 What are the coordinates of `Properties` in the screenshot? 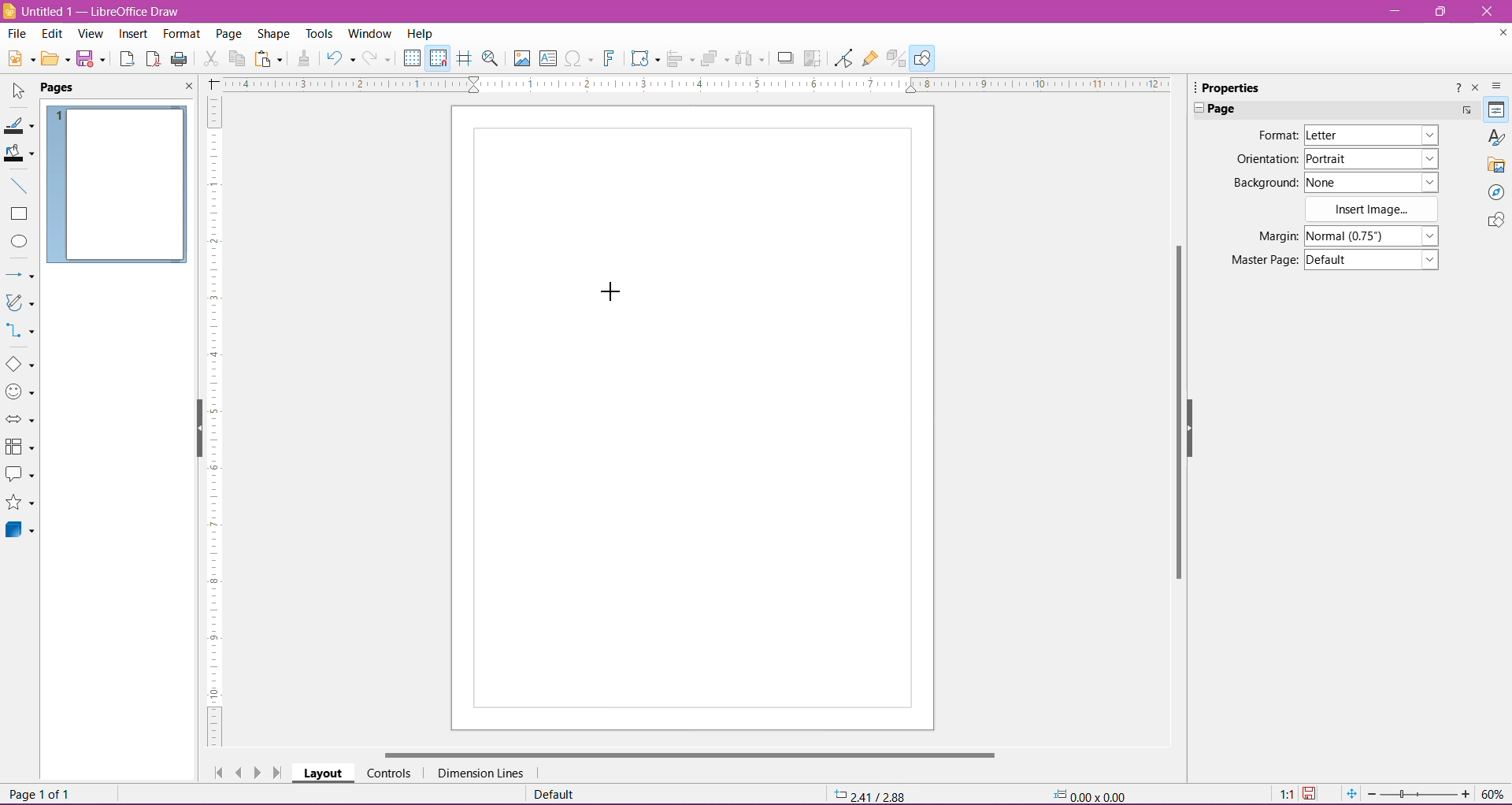 It's located at (1497, 109).